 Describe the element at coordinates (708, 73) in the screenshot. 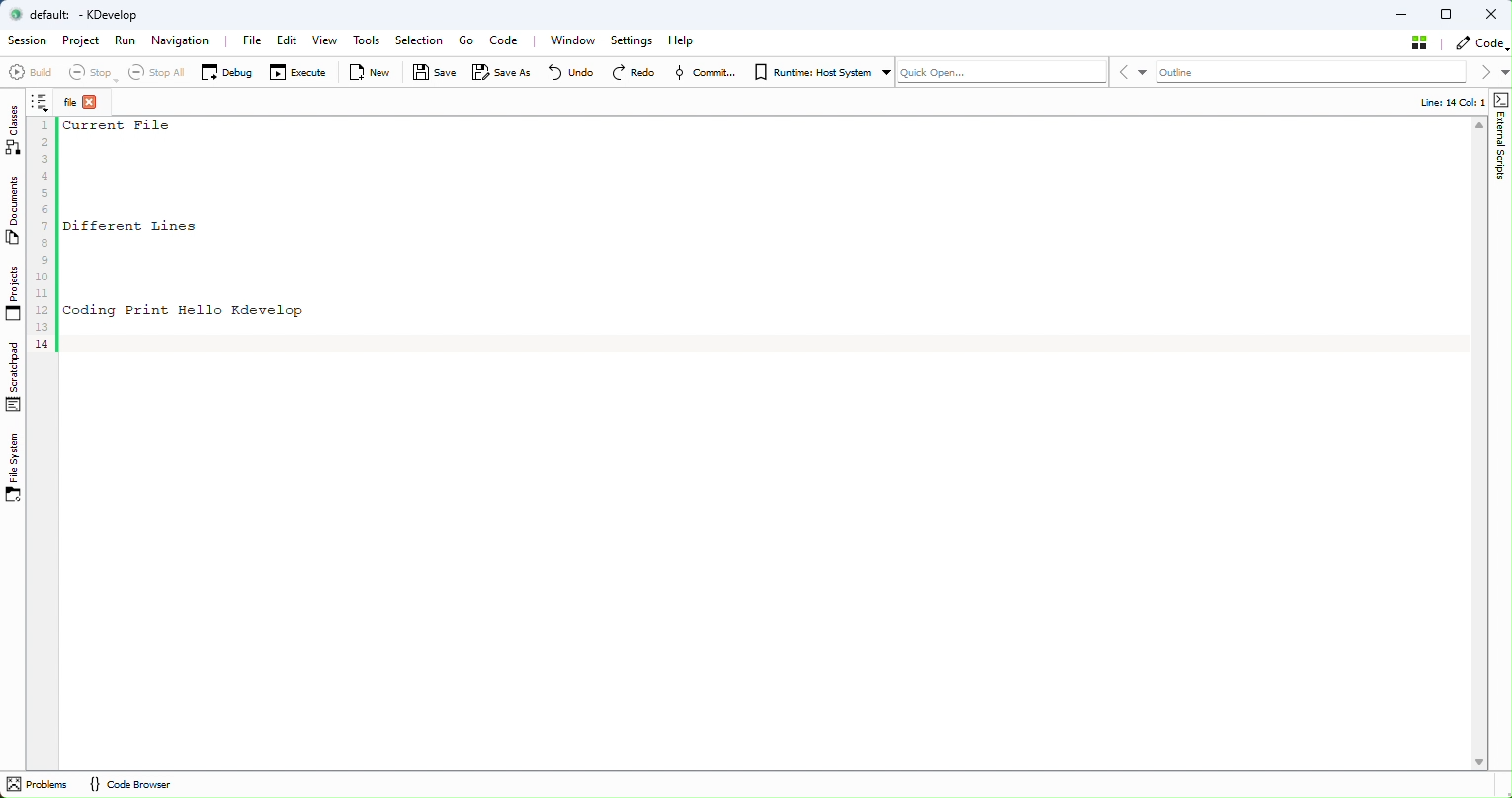

I see `Commit` at that location.